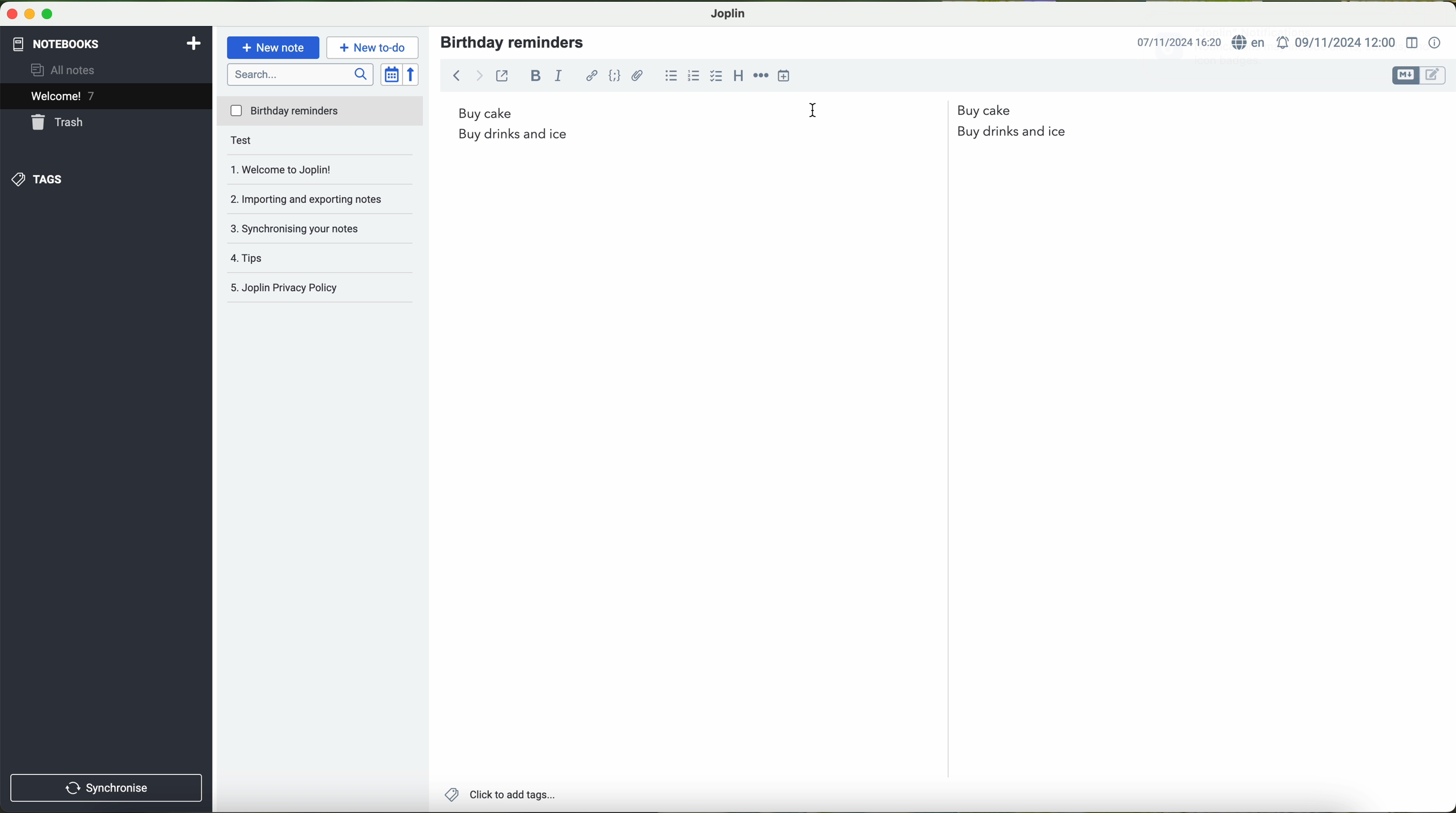  Describe the element at coordinates (105, 786) in the screenshot. I see `synchronise button` at that location.